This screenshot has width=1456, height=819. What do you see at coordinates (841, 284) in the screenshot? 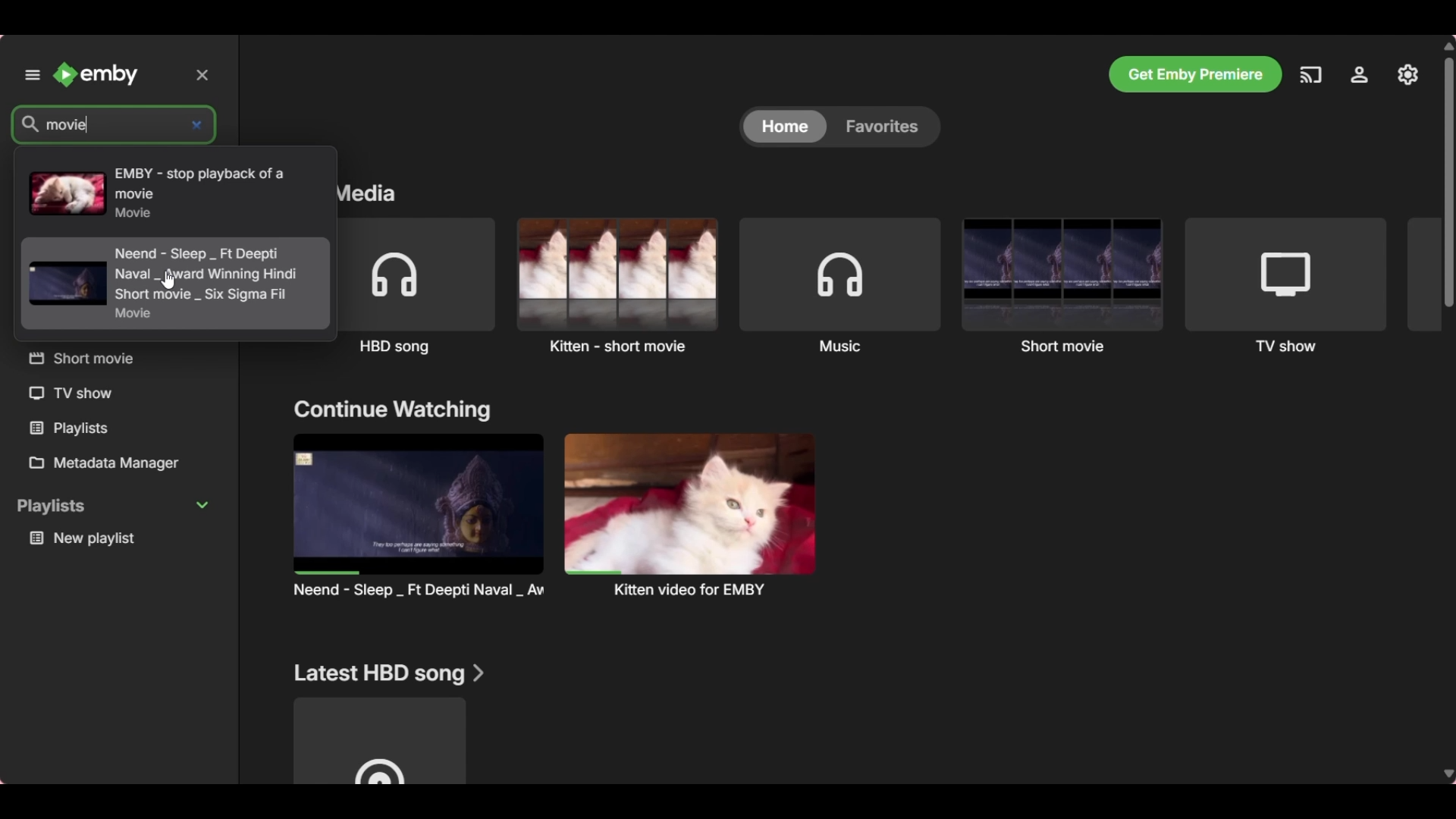
I see `Music` at bounding box center [841, 284].